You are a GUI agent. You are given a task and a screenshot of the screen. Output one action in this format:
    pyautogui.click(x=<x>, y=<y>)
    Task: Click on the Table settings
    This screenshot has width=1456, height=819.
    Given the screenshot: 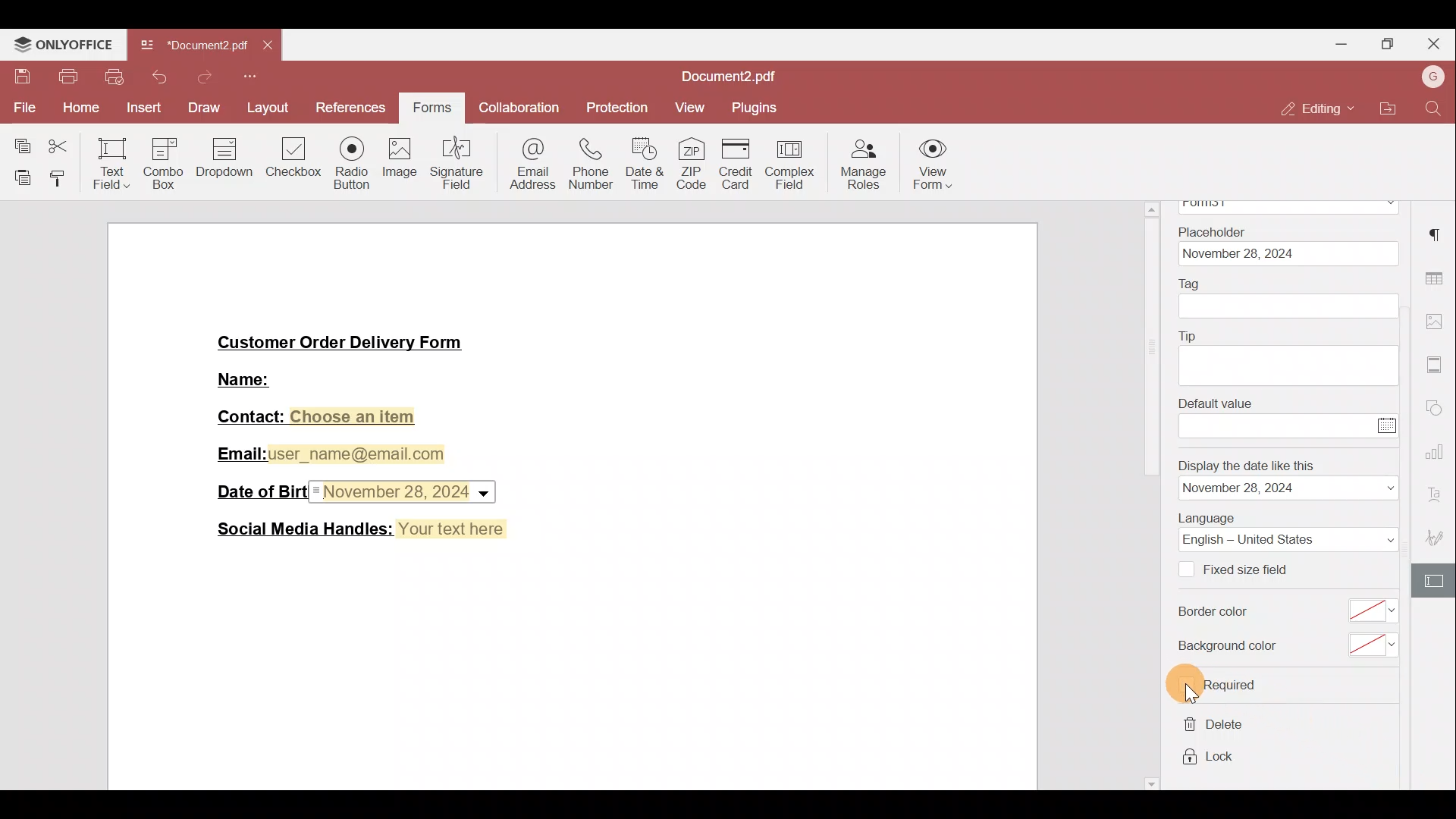 What is the action you would take?
    pyautogui.click(x=1438, y=279)
    